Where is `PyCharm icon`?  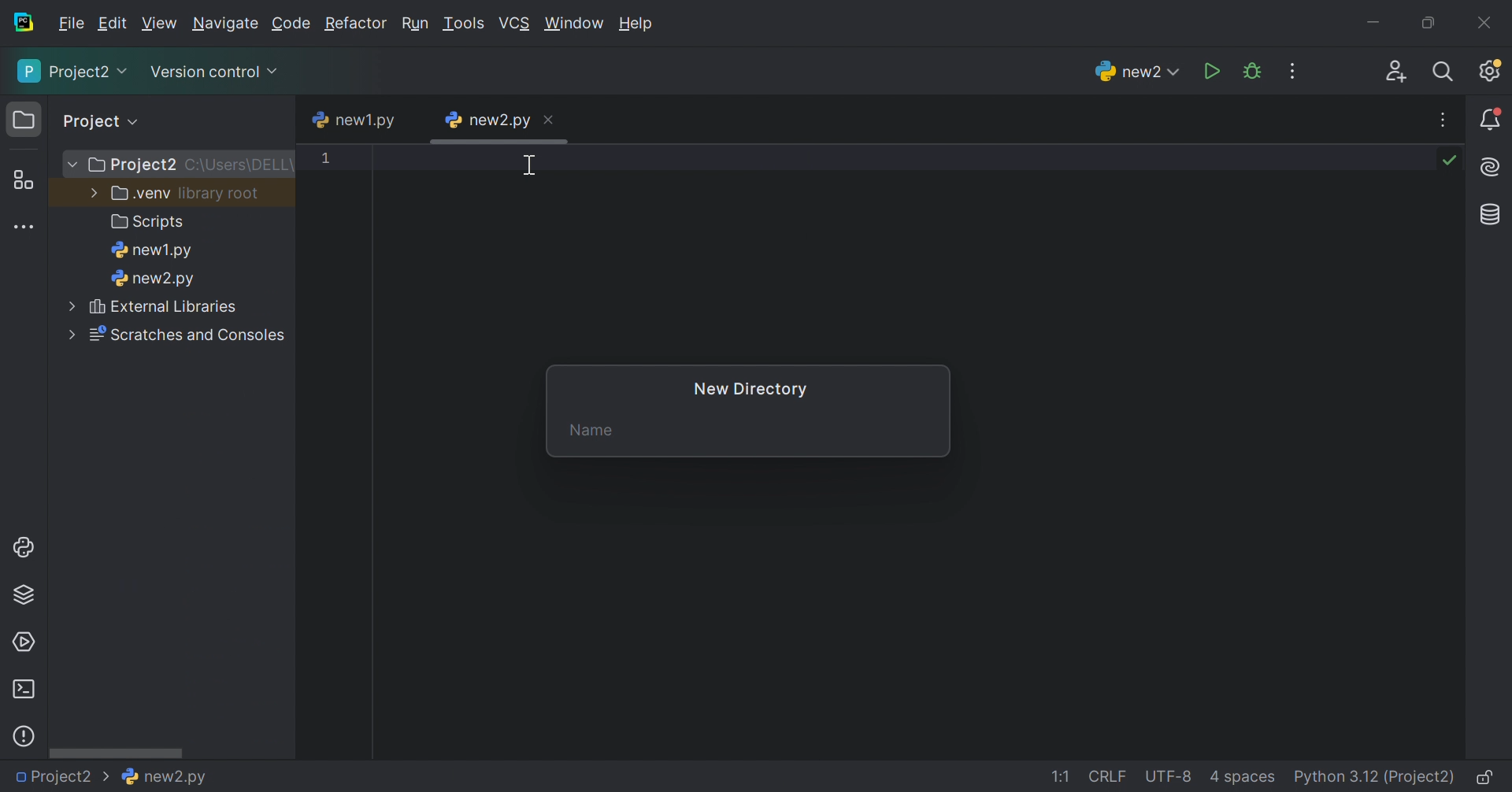
PyCharm icon is located at coordinates (20, 23).